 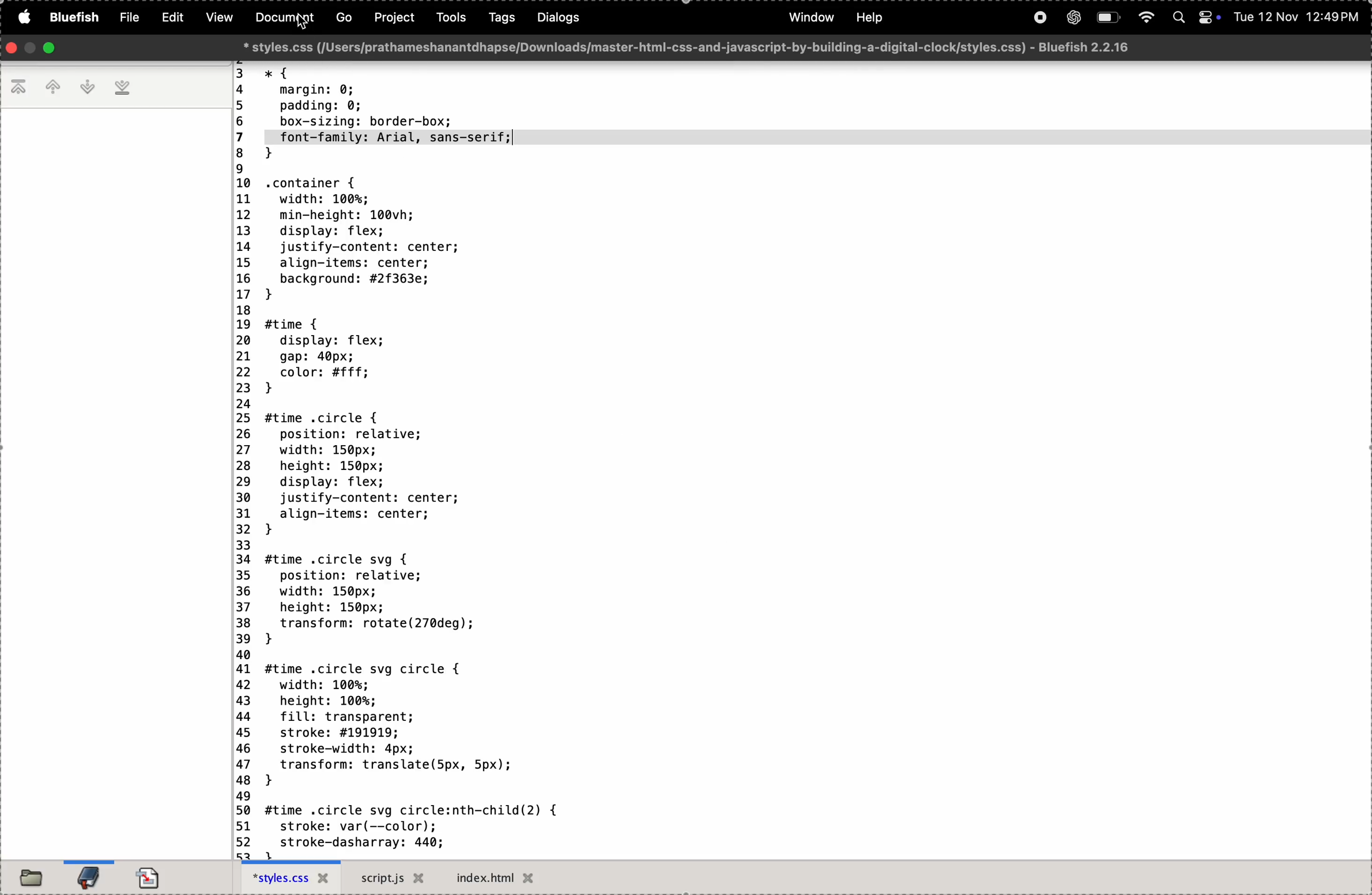 What do you see at coordinates (692, 47) in the screenshot?
I see `* styles.css (/Users/prathameshanantdhapse/Downloads/master-html-css-and-javascript-by-building-a-digital-clock/styles.css) - Bluefish 2.2.16` at bounding box center [692, 47].